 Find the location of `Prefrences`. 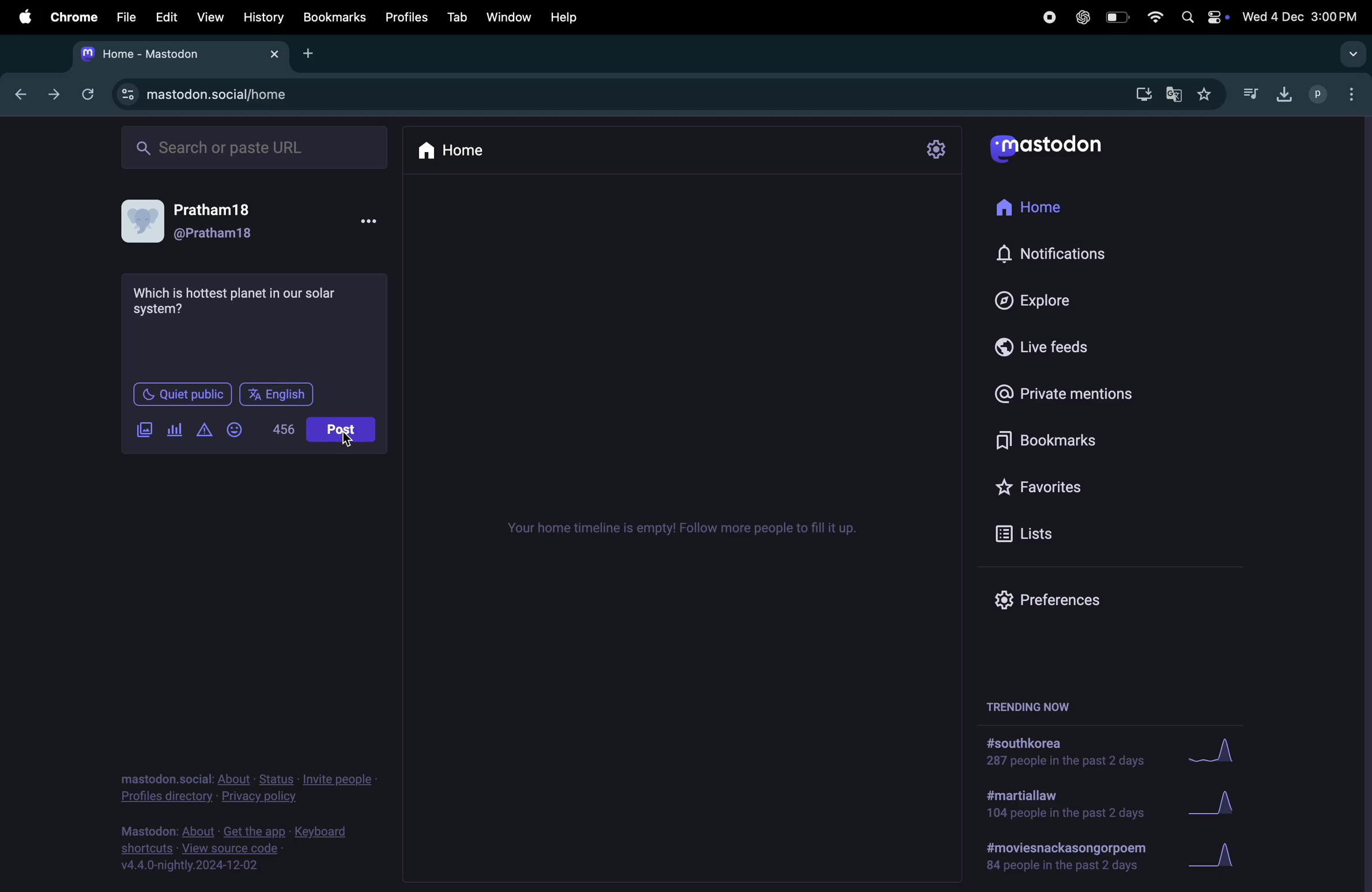

Prefrences is located at coordinates (1060, 601).